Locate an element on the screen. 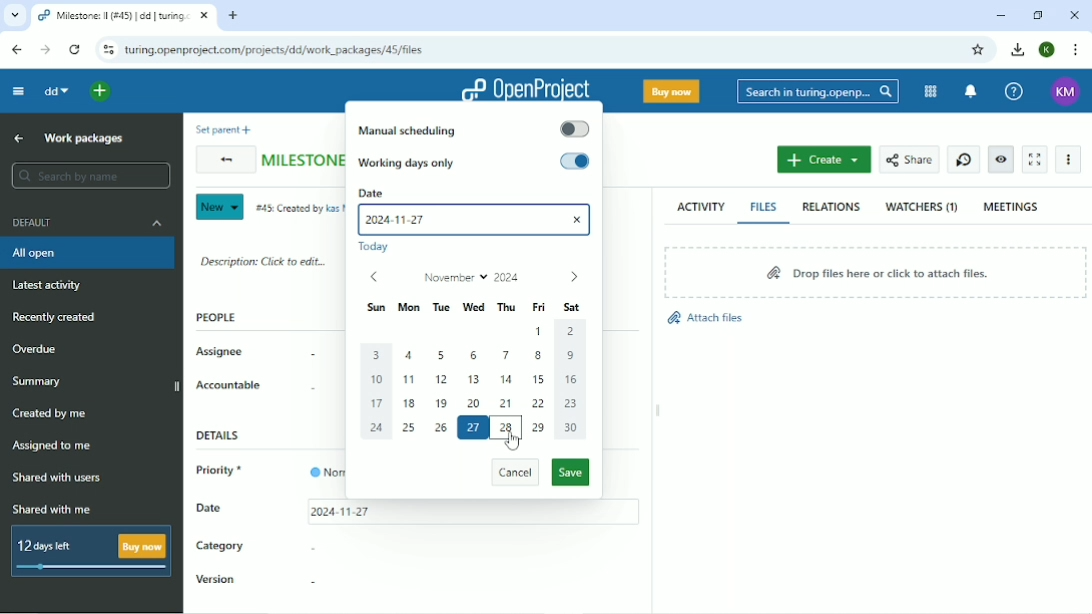 The image size is (1092, 614). Working days only is located at coordinates (418, 163).